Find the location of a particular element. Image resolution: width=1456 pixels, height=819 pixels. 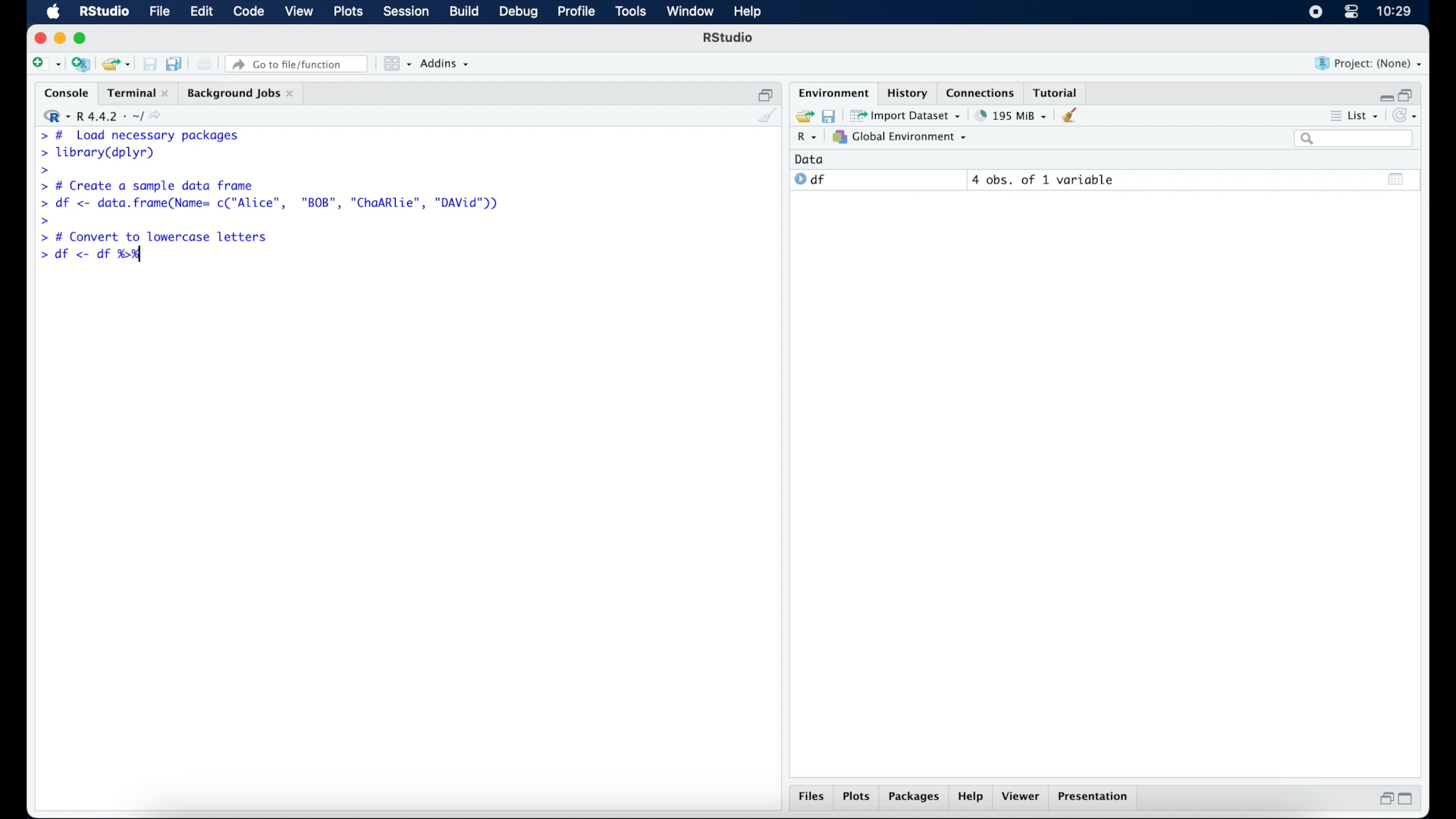

create new file is located at coordinates (45, 65).